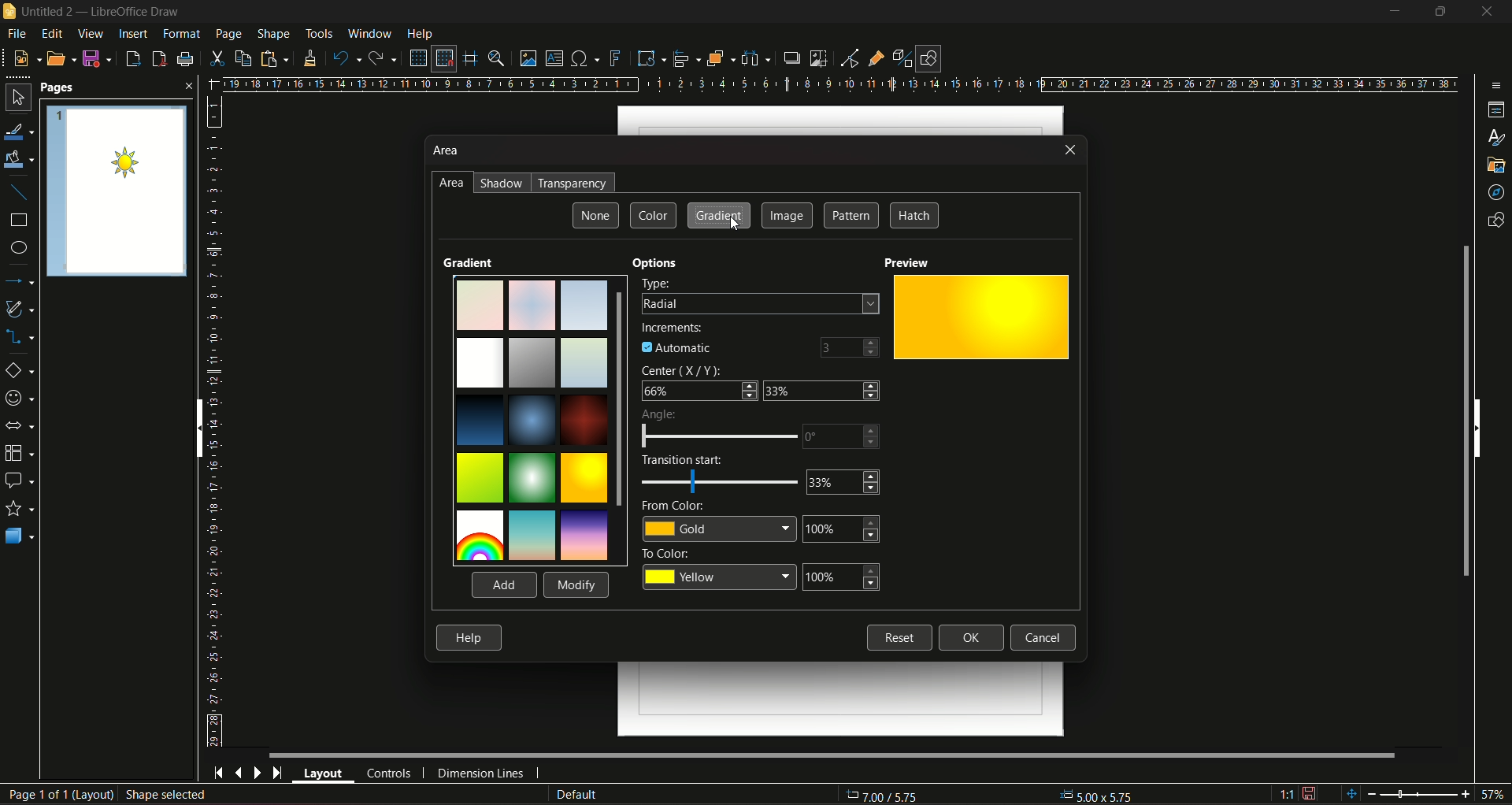 This screenshot has height=805, width=1512. What do you see at coordinates (851, 349) in the screenshot?
I see `number` at bounding box center [851, 349].